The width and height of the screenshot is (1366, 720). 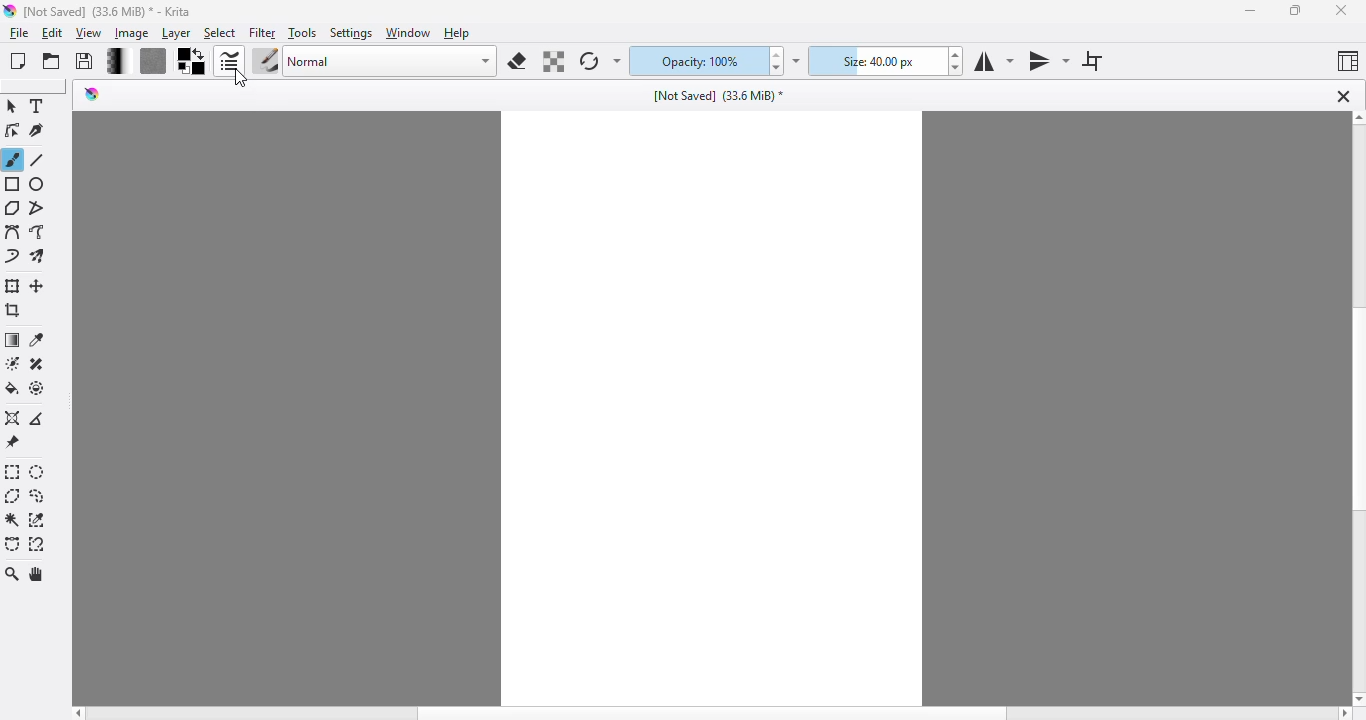 What do you see at coordinates (93, 94) in the screenshot?
I see `logo` at bounding box center [93, 94].